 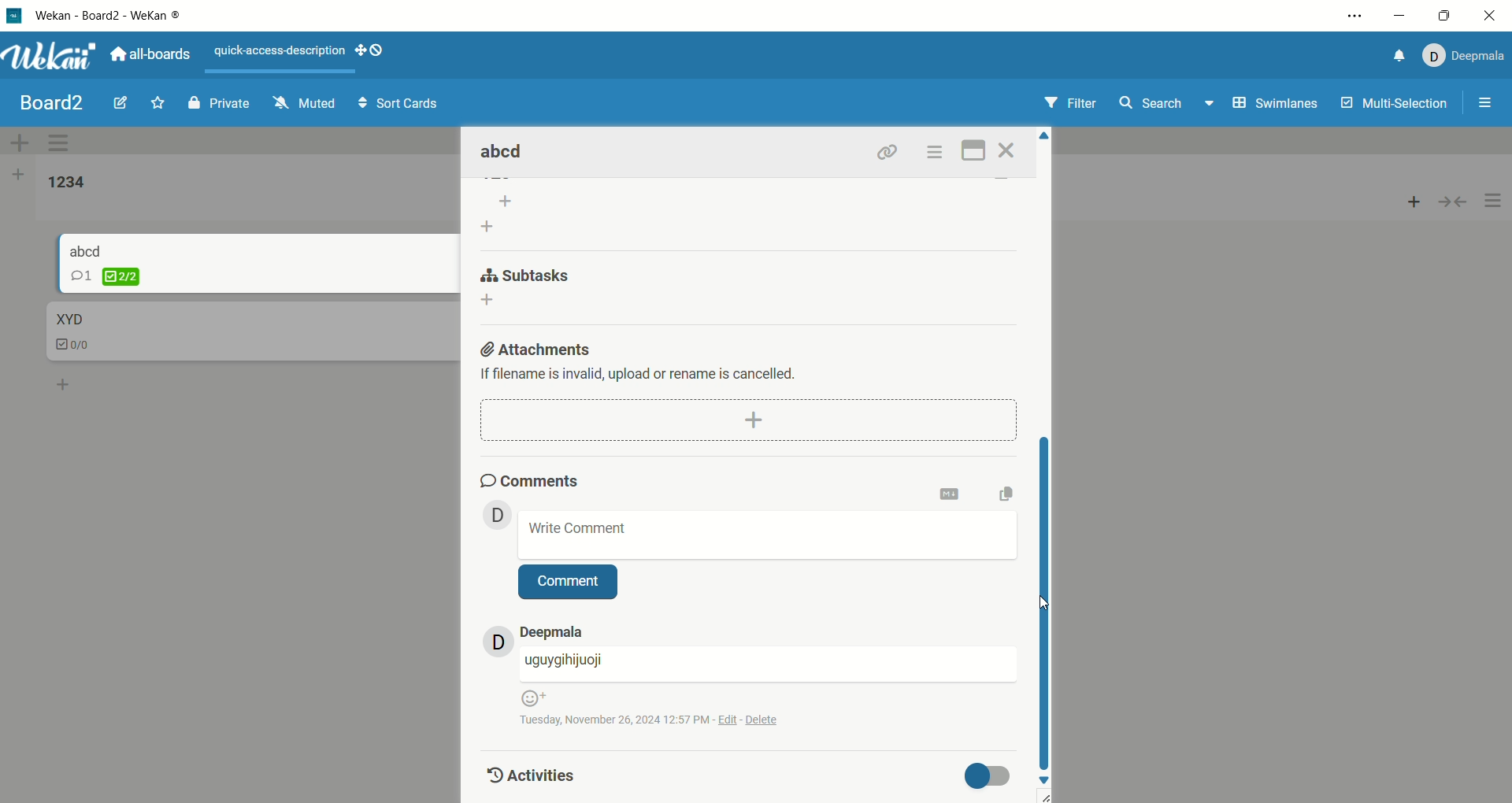 I want to click on board title, so click(x=54, y=103).